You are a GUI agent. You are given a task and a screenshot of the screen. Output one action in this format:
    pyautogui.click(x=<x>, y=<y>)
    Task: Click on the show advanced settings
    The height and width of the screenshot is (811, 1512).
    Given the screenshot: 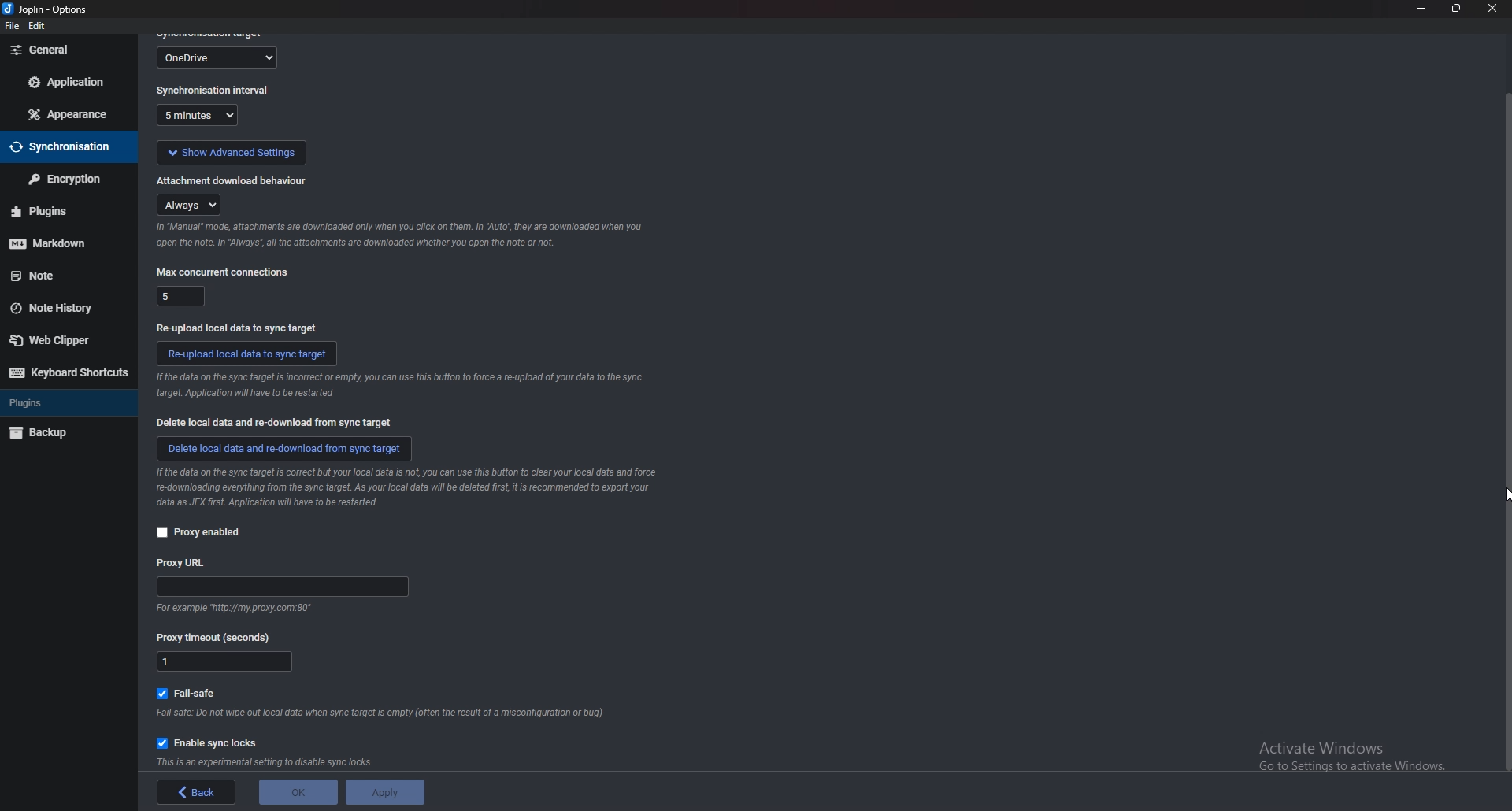 What is the action you would take?
    pyautogui.click(x=230, y=150)
    